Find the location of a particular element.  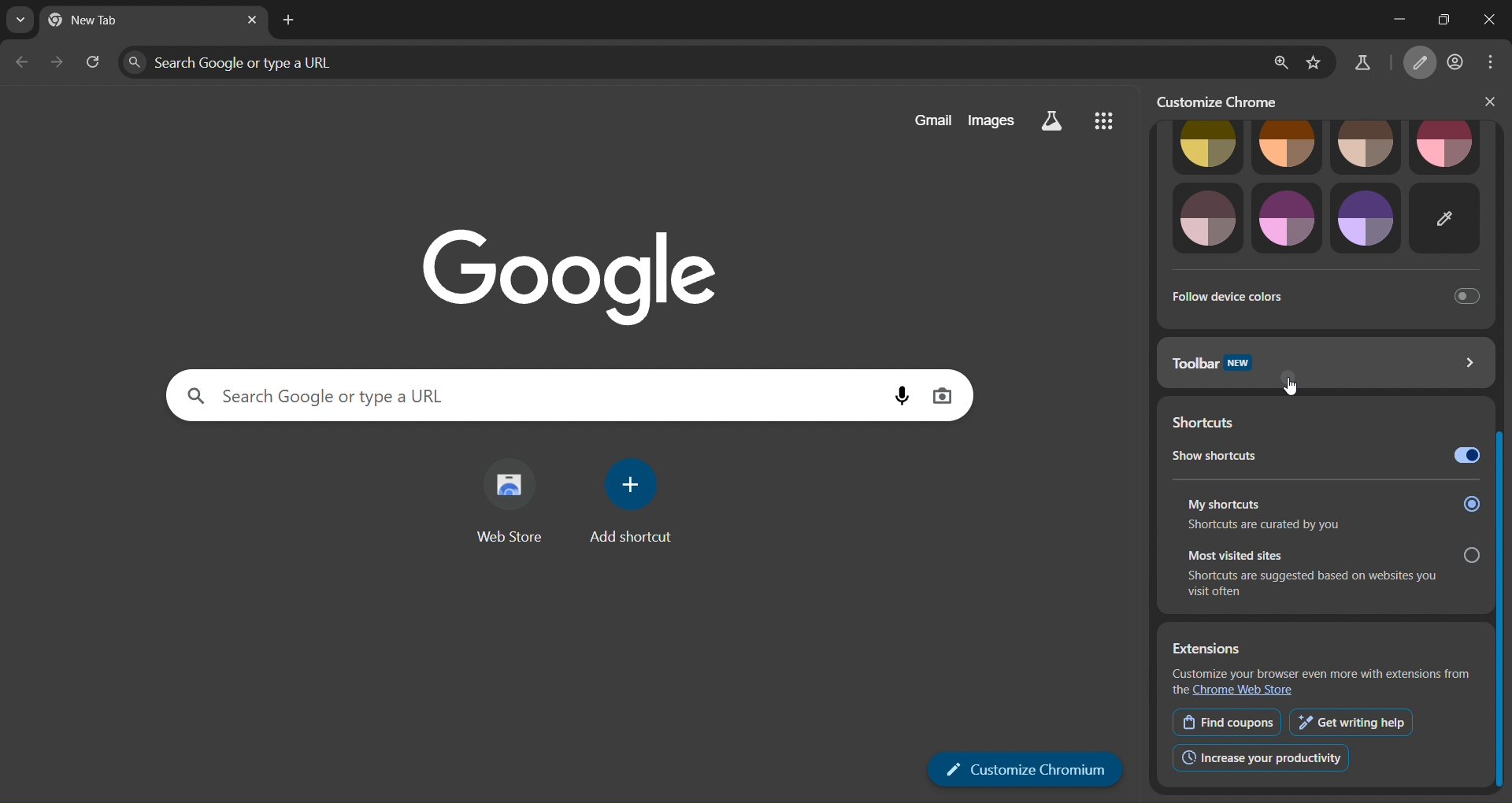

restore down is located at coordinates (1437, 18).